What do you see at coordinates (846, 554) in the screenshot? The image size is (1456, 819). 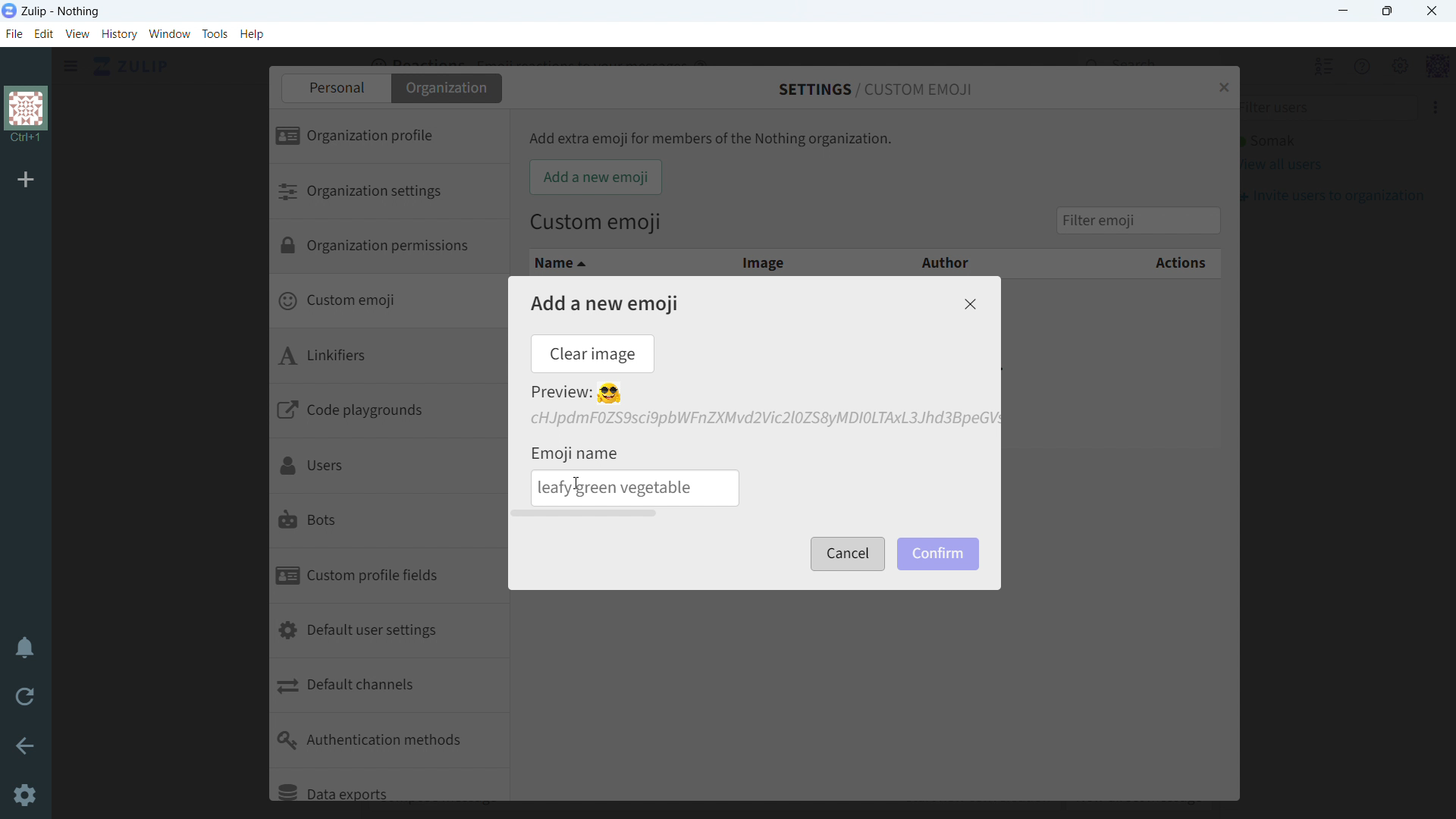 I see `cancel` at bounding box center [846, 554].